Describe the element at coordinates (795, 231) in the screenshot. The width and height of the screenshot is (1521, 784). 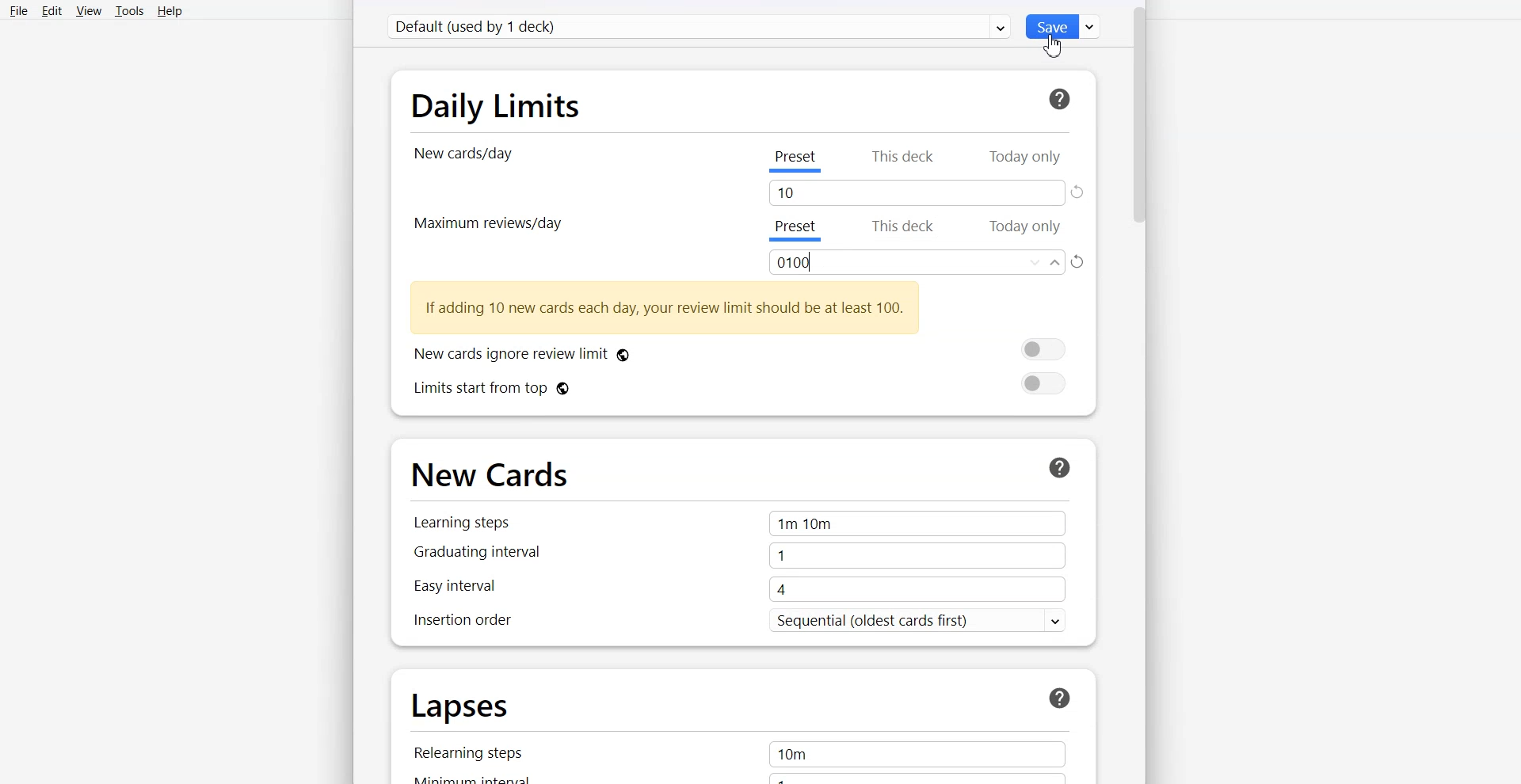
I see `Preset` at that location.